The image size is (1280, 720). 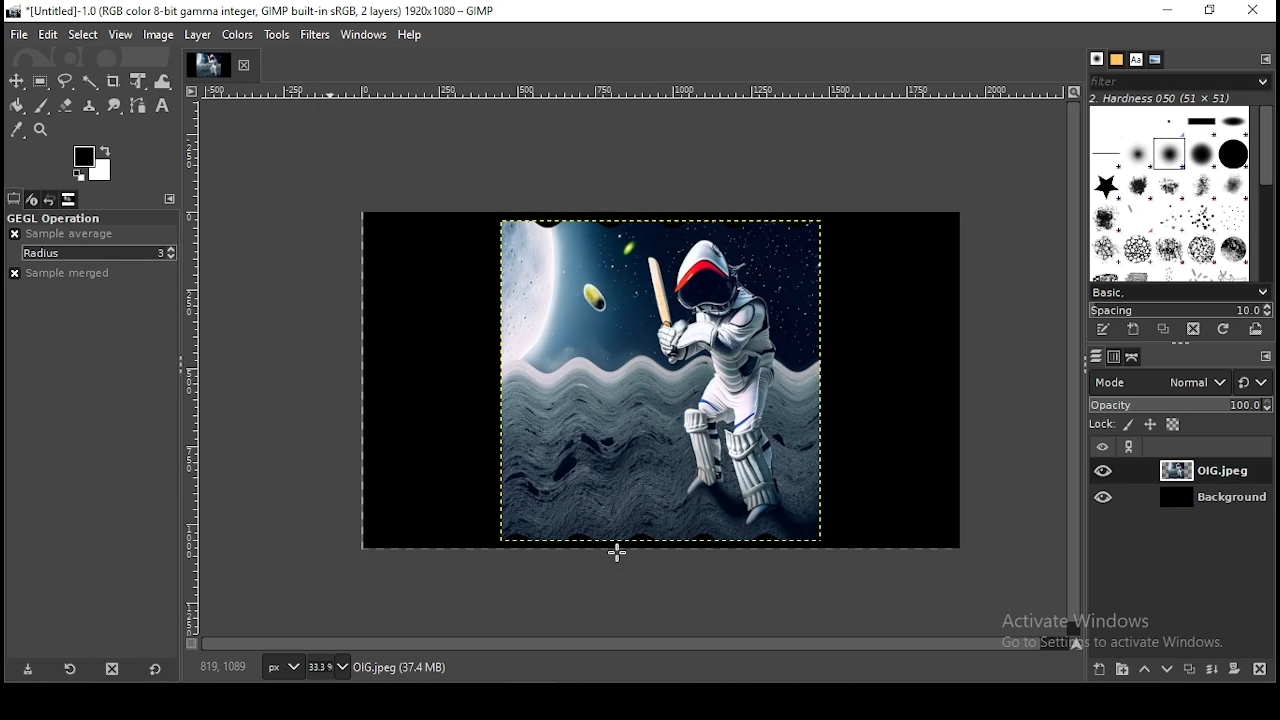 What do you see at coordinates (328, 668) in the screenshot?
I see `zoom level` at bounding box center [328, 668].